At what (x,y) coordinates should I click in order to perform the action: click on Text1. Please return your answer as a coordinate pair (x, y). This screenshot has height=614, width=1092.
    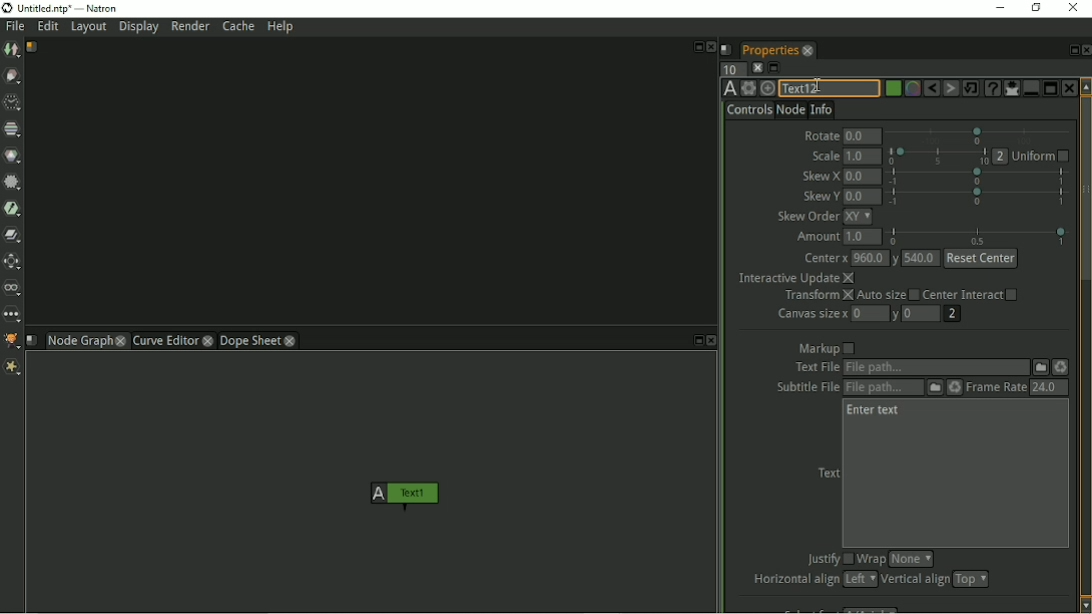
    Looking at the image, I should click on (828, 89).